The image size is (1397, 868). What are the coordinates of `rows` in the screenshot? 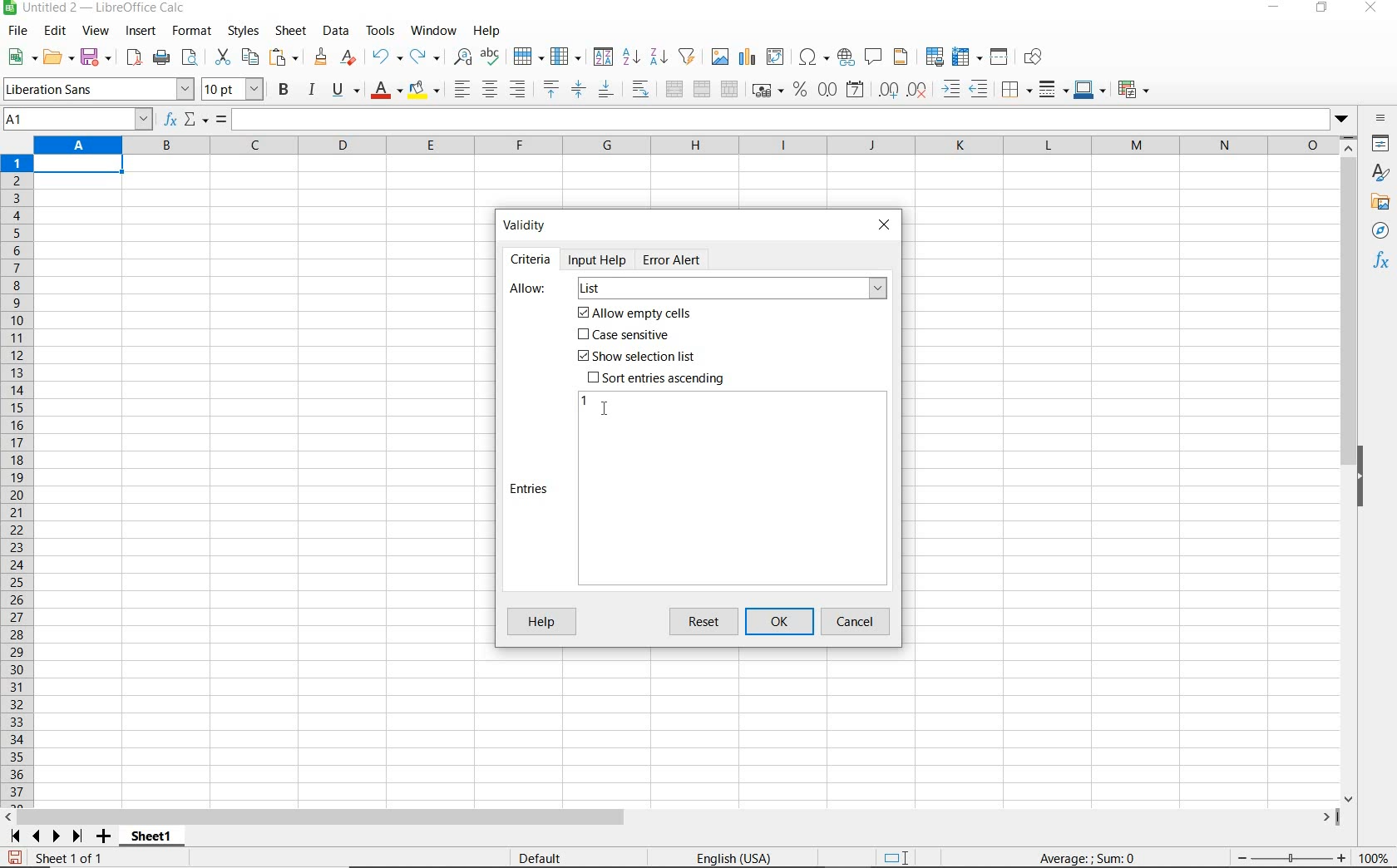 It's located at (17, 481).